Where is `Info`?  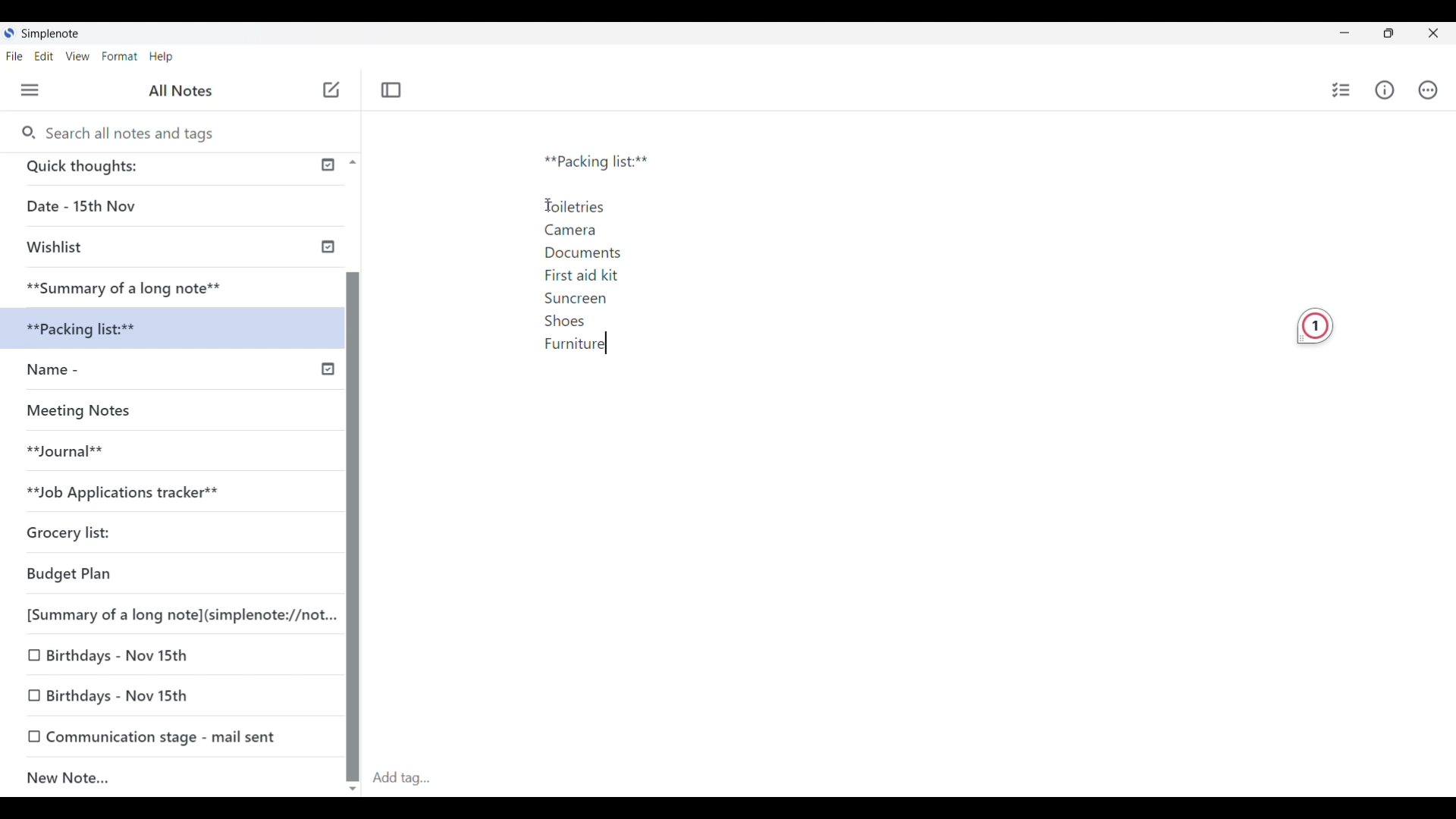 Info is located at coordinates (1385, 90).